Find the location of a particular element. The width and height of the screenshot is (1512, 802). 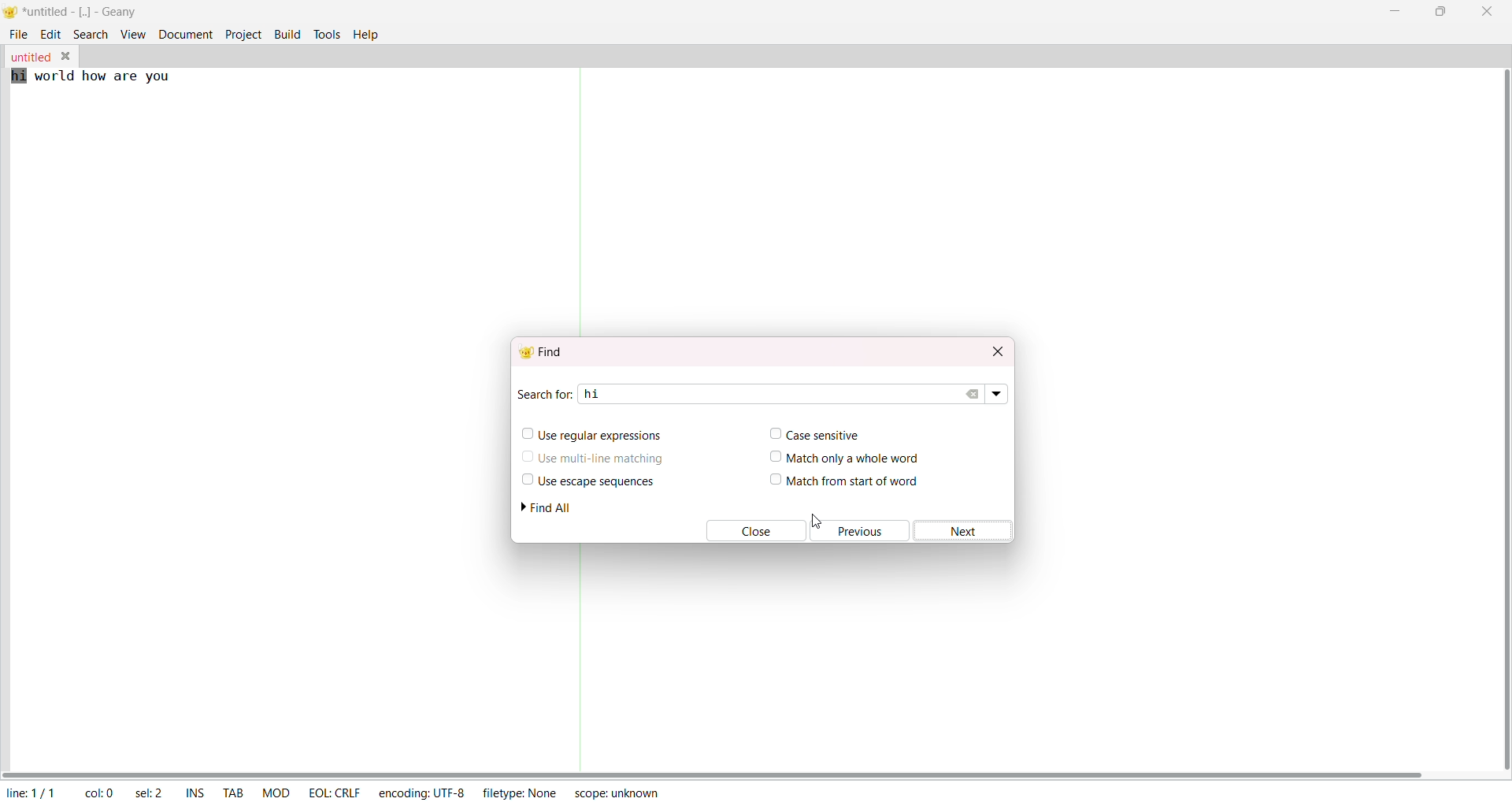

hi is located at coordinates (598, 392).